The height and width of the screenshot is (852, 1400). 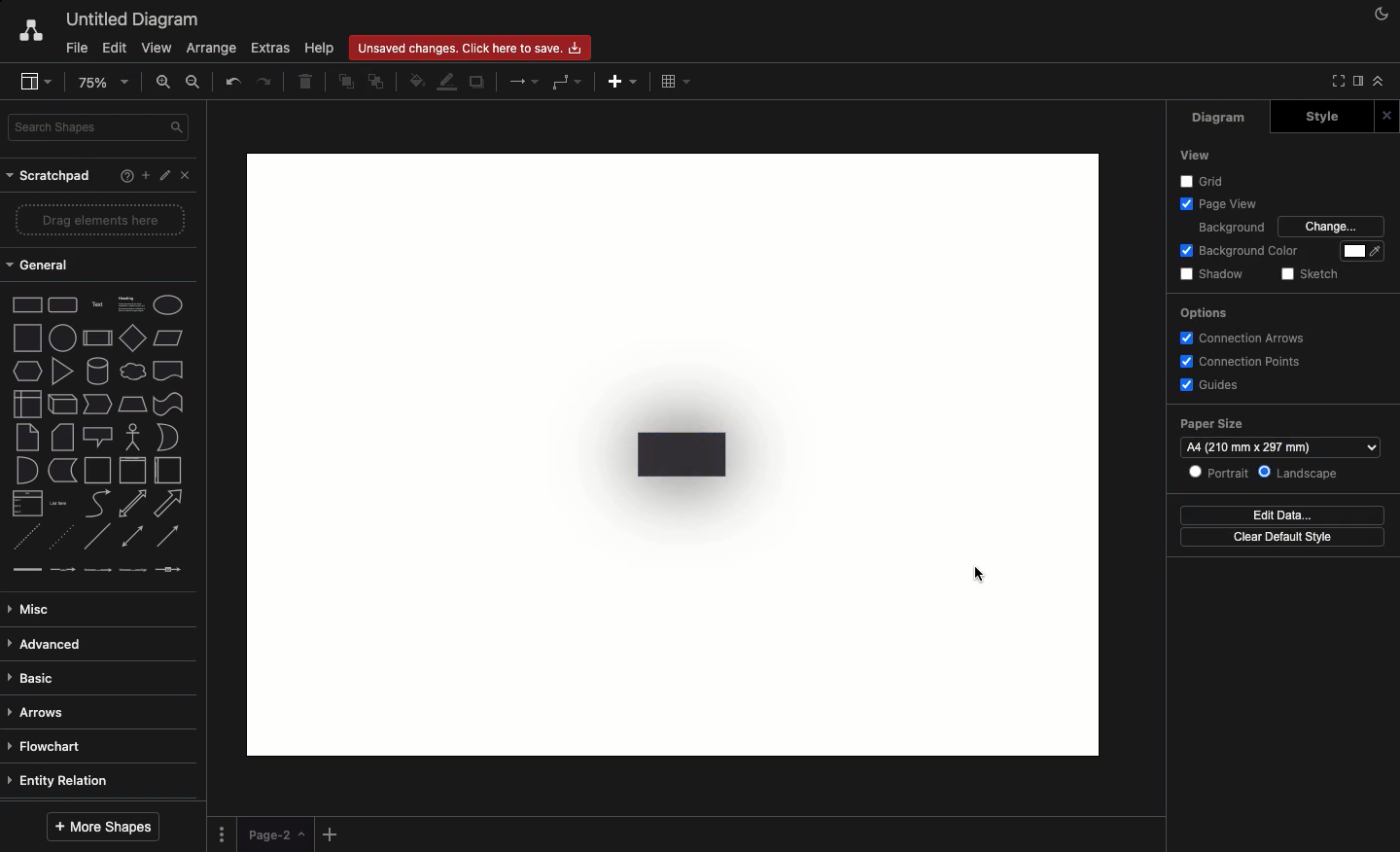 What do you see at coordinates (96, 538) in the screenshot?
I see `line` at bounding box center [96, 538].